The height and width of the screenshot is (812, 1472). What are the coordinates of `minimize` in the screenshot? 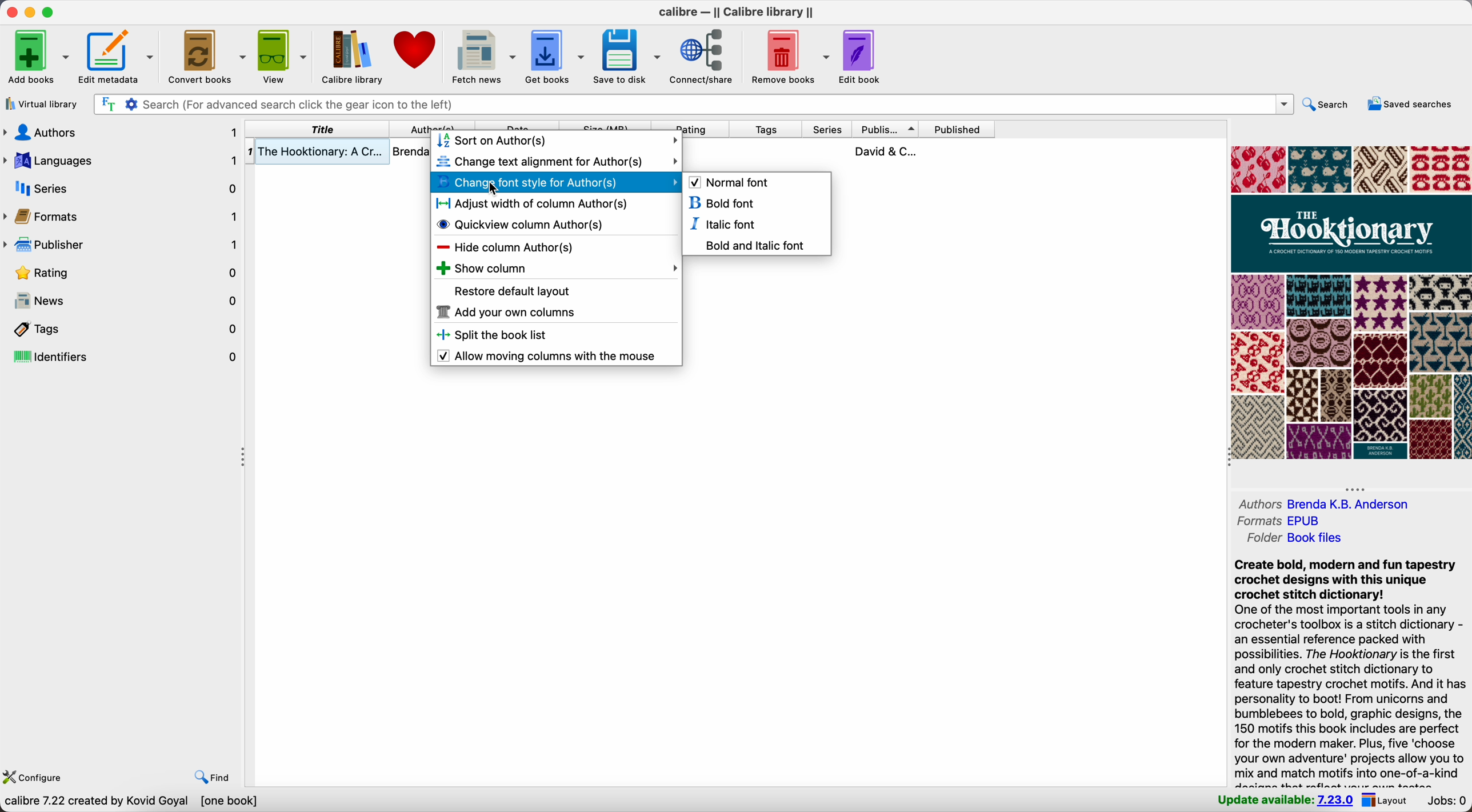 It's located at (33, 13).